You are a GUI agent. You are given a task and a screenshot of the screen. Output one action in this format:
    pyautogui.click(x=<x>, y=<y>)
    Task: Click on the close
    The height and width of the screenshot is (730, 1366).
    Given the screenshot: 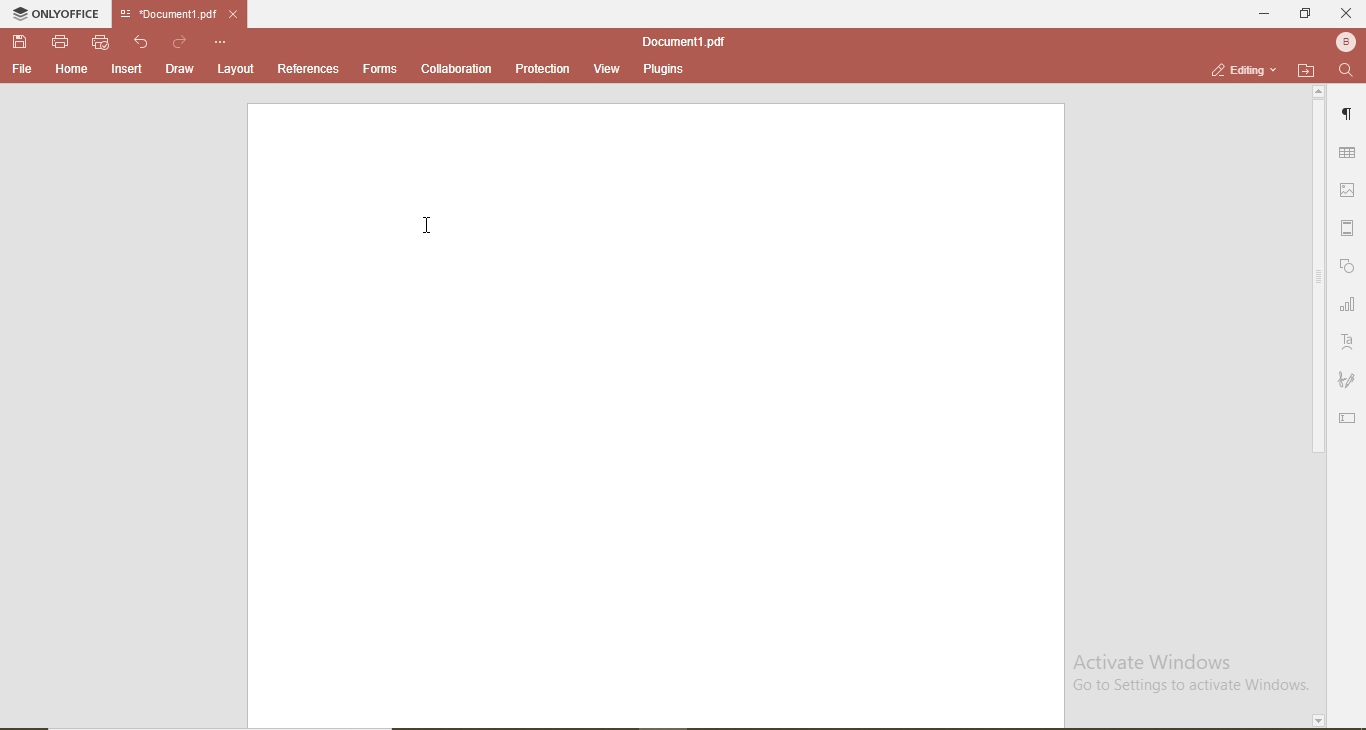 What is the action you would take?
    pyautogui.click(x=1347, y=14)
    